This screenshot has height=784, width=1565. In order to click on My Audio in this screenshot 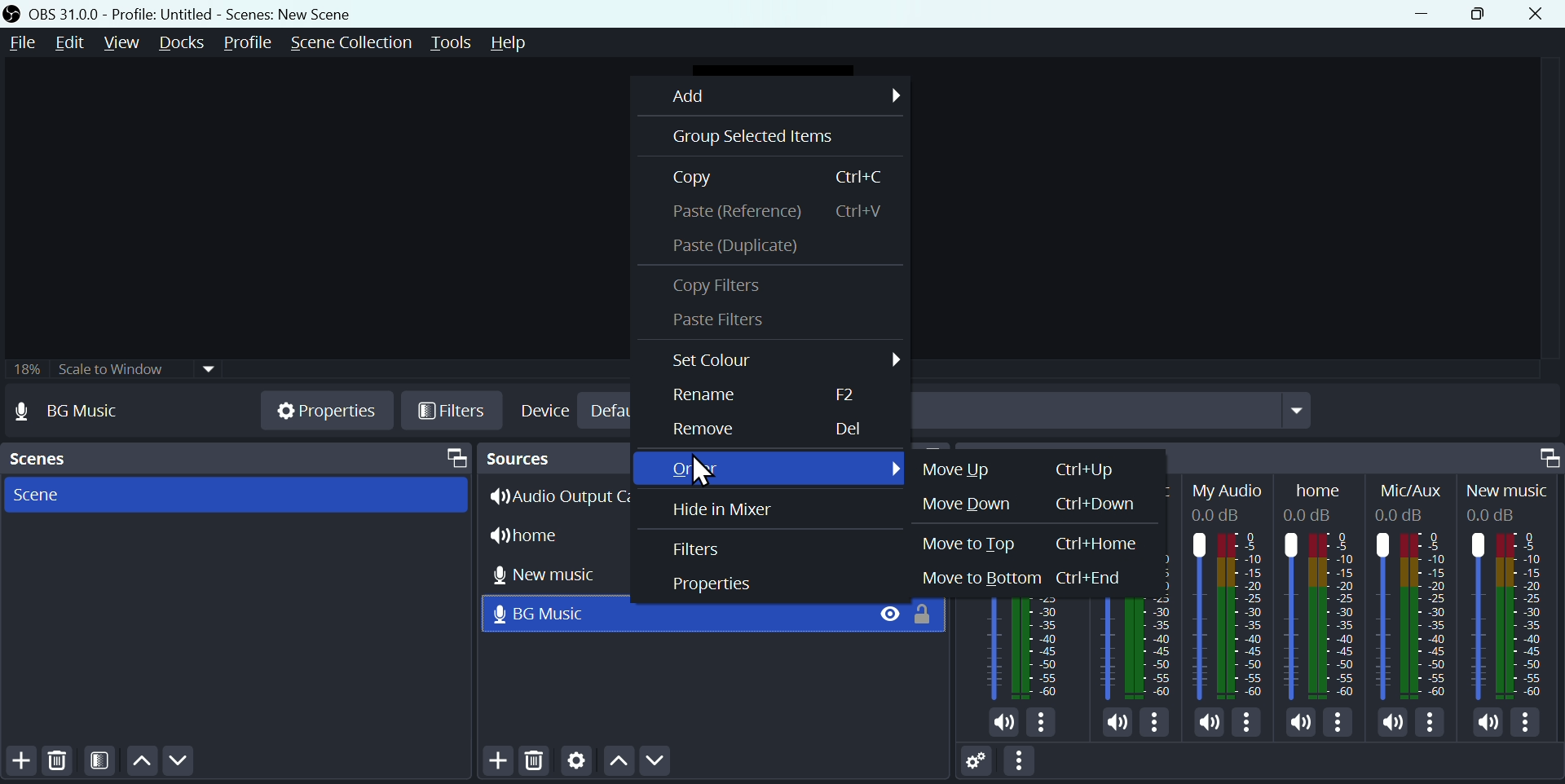, I will do `click(1232, 588)`.